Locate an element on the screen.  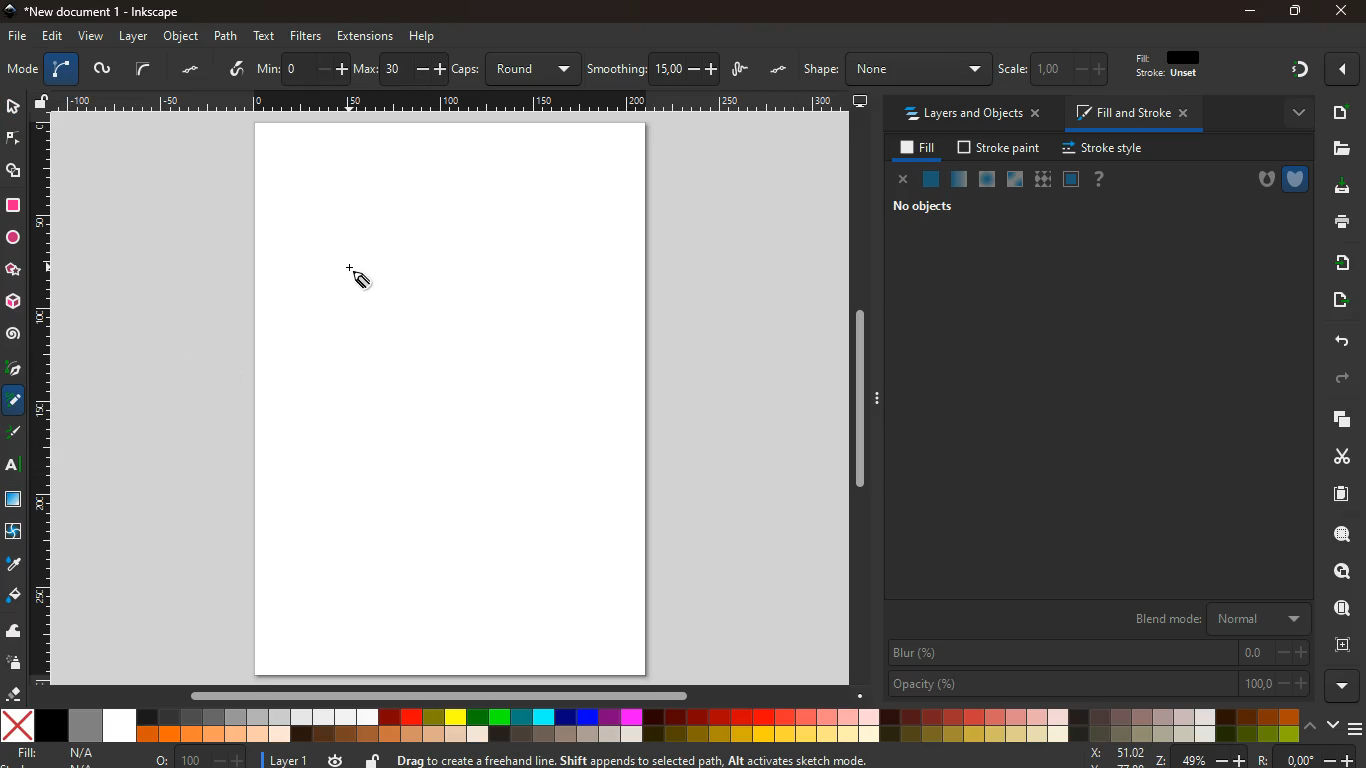
fill and stroke is located at coordinates (1133, 112).